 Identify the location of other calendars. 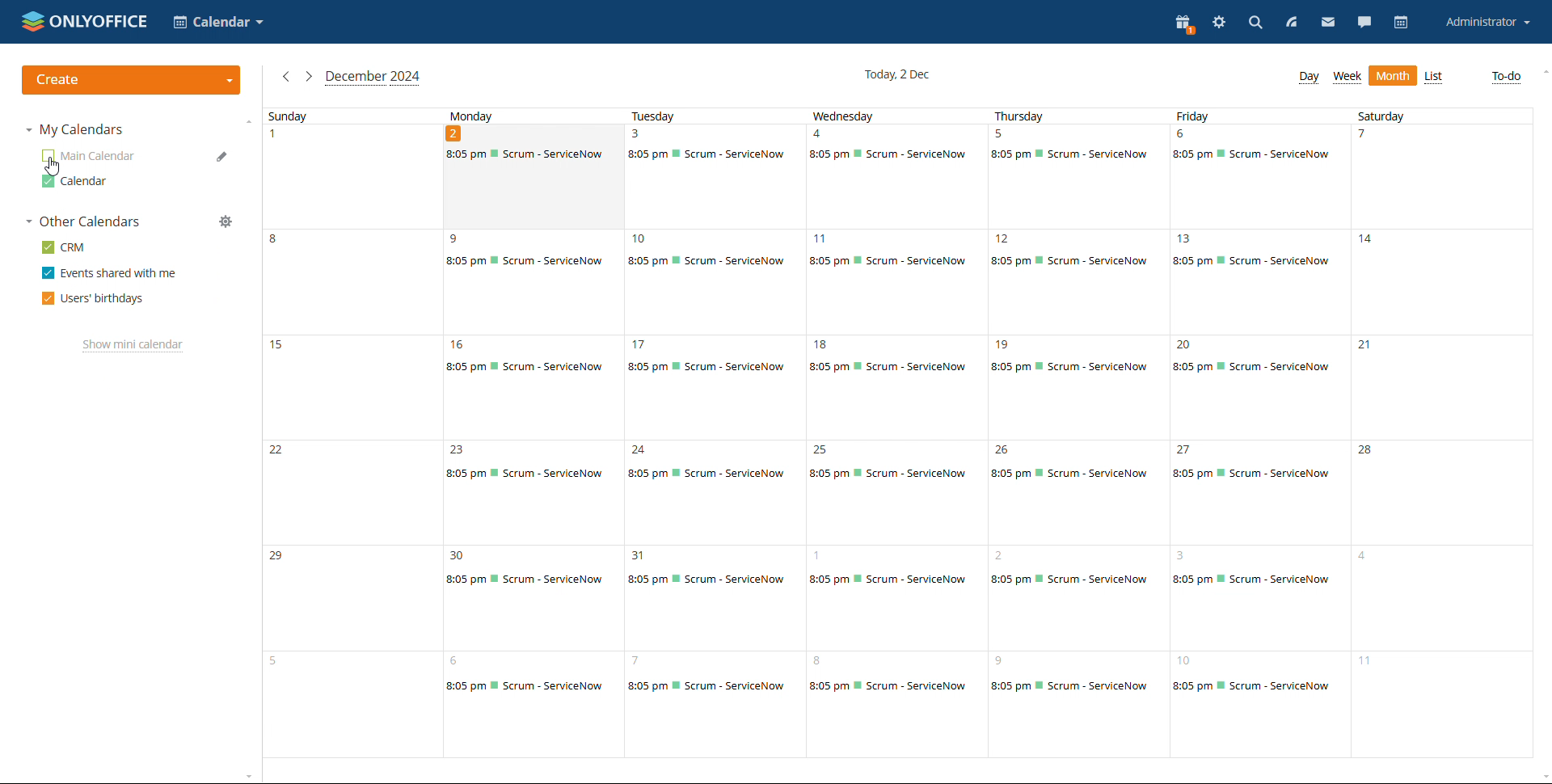
(82, 221).